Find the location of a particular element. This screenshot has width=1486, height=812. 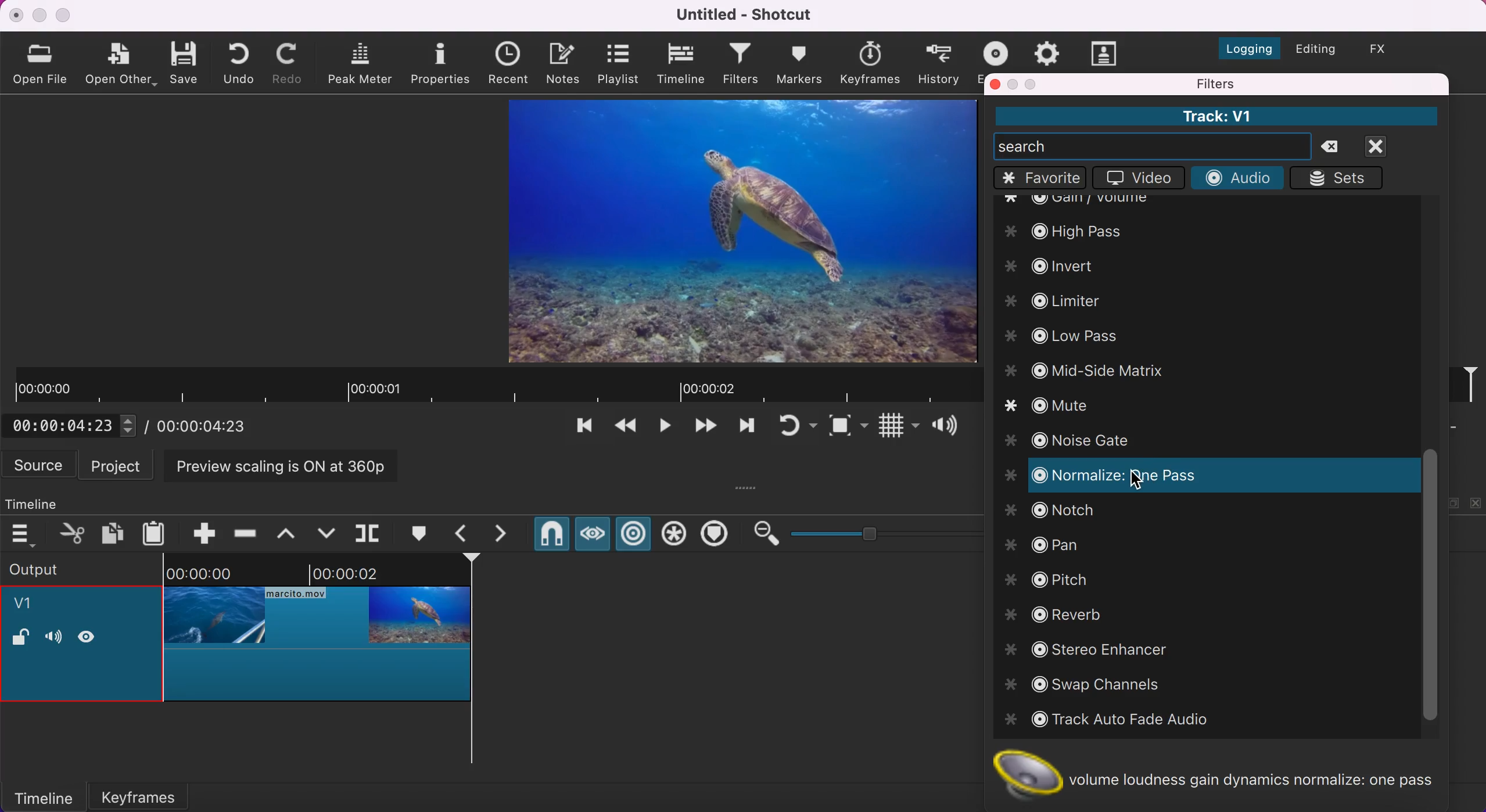

next marker is located at coordinates (508, 534).